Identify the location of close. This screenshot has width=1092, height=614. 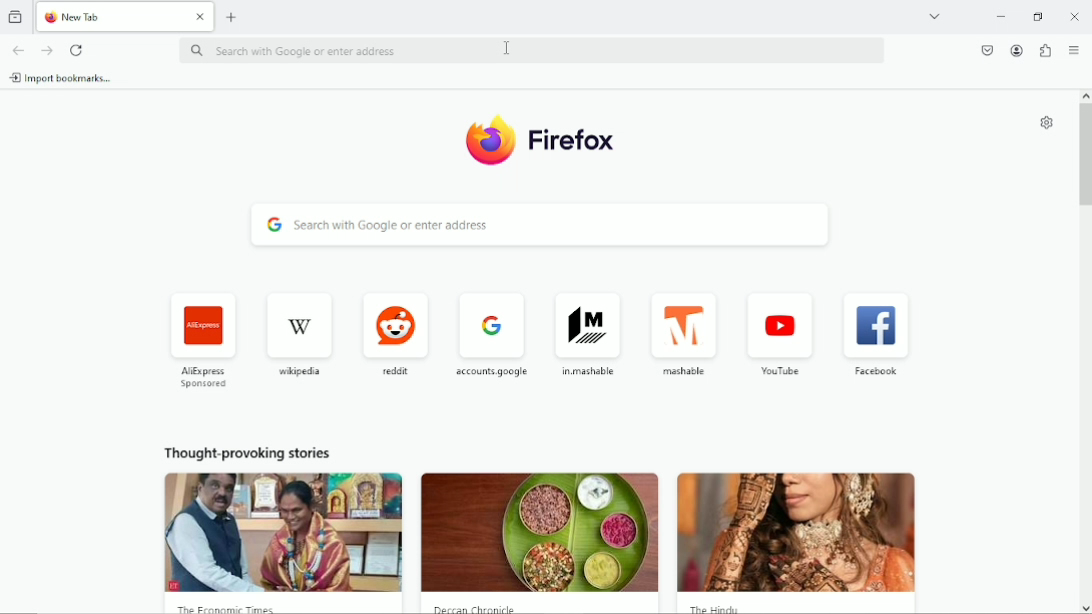
(200, 19).